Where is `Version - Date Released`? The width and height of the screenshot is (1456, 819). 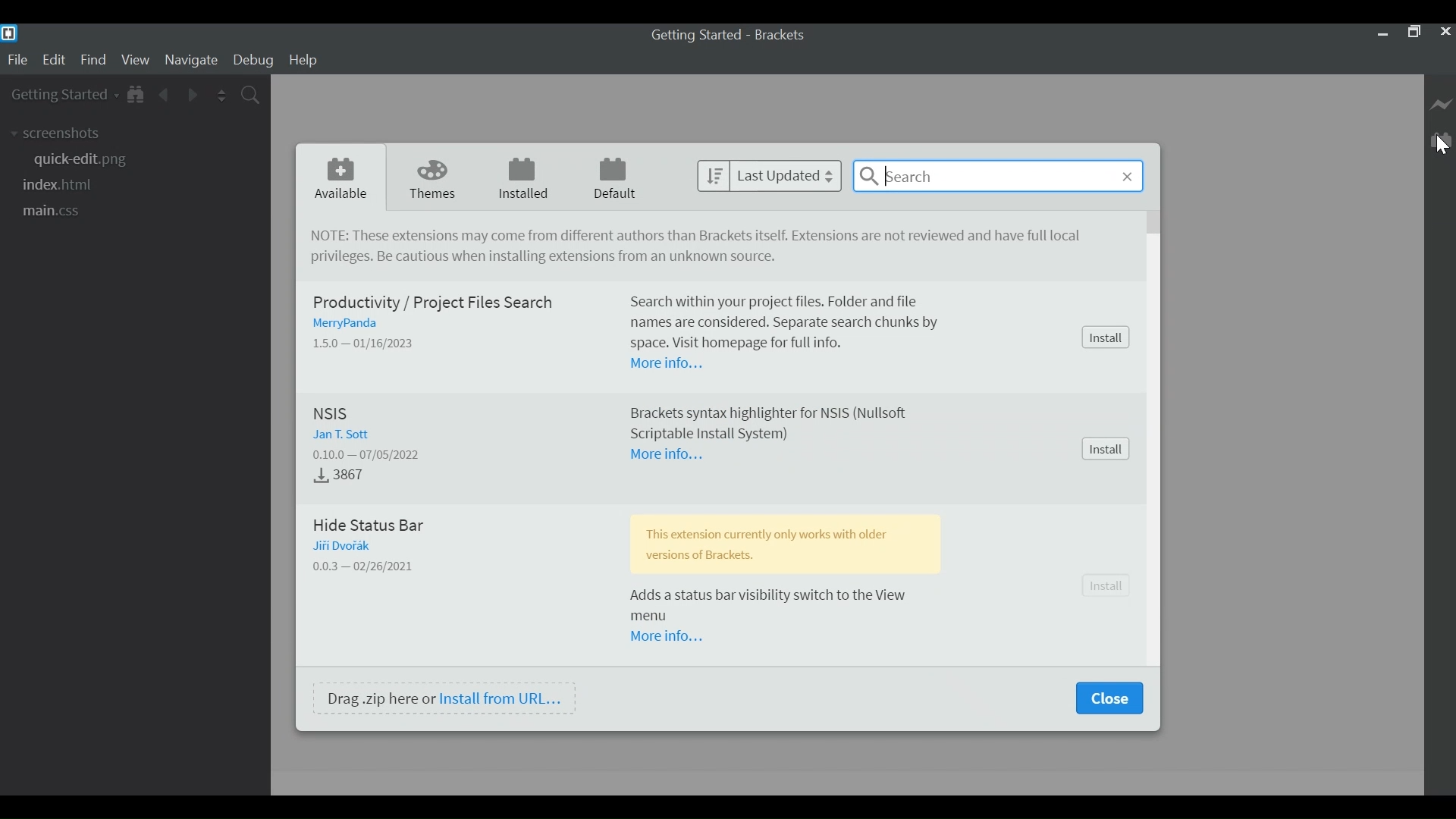 Version - Date Released is located at coordinates (366, 566).